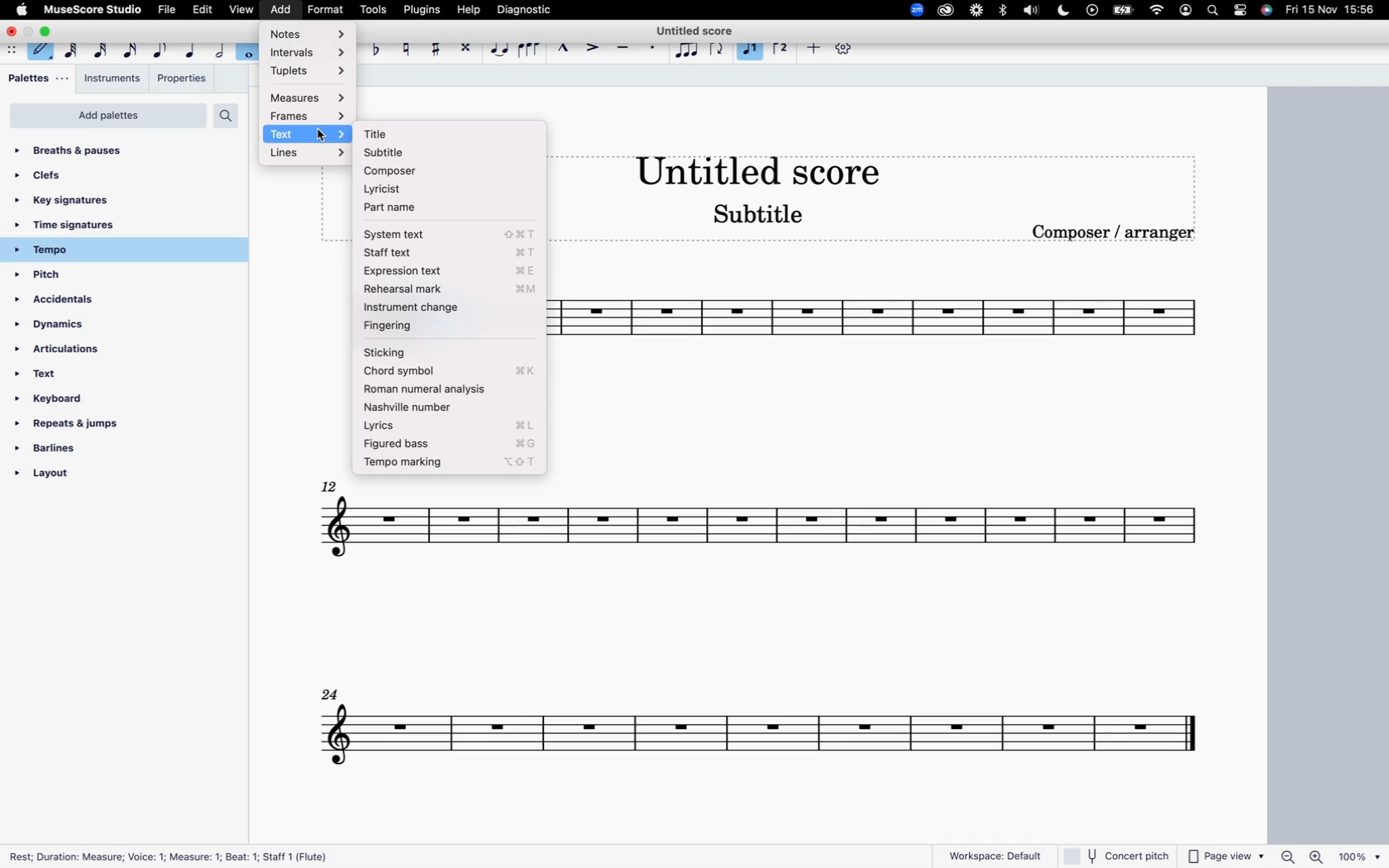  Describe the element at coordinates (250, 48) in the screenshot. I see `full note` at that location.